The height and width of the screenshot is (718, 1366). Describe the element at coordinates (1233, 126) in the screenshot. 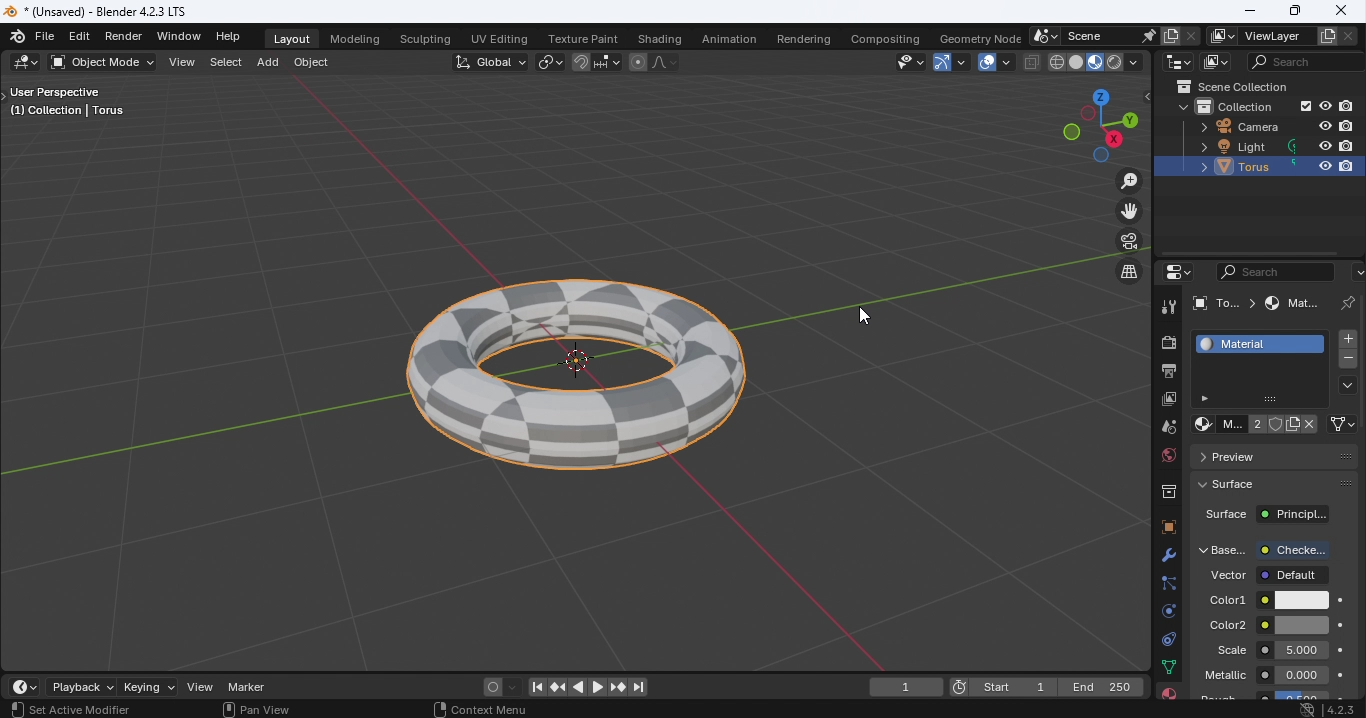

I see `Camera` at that location.